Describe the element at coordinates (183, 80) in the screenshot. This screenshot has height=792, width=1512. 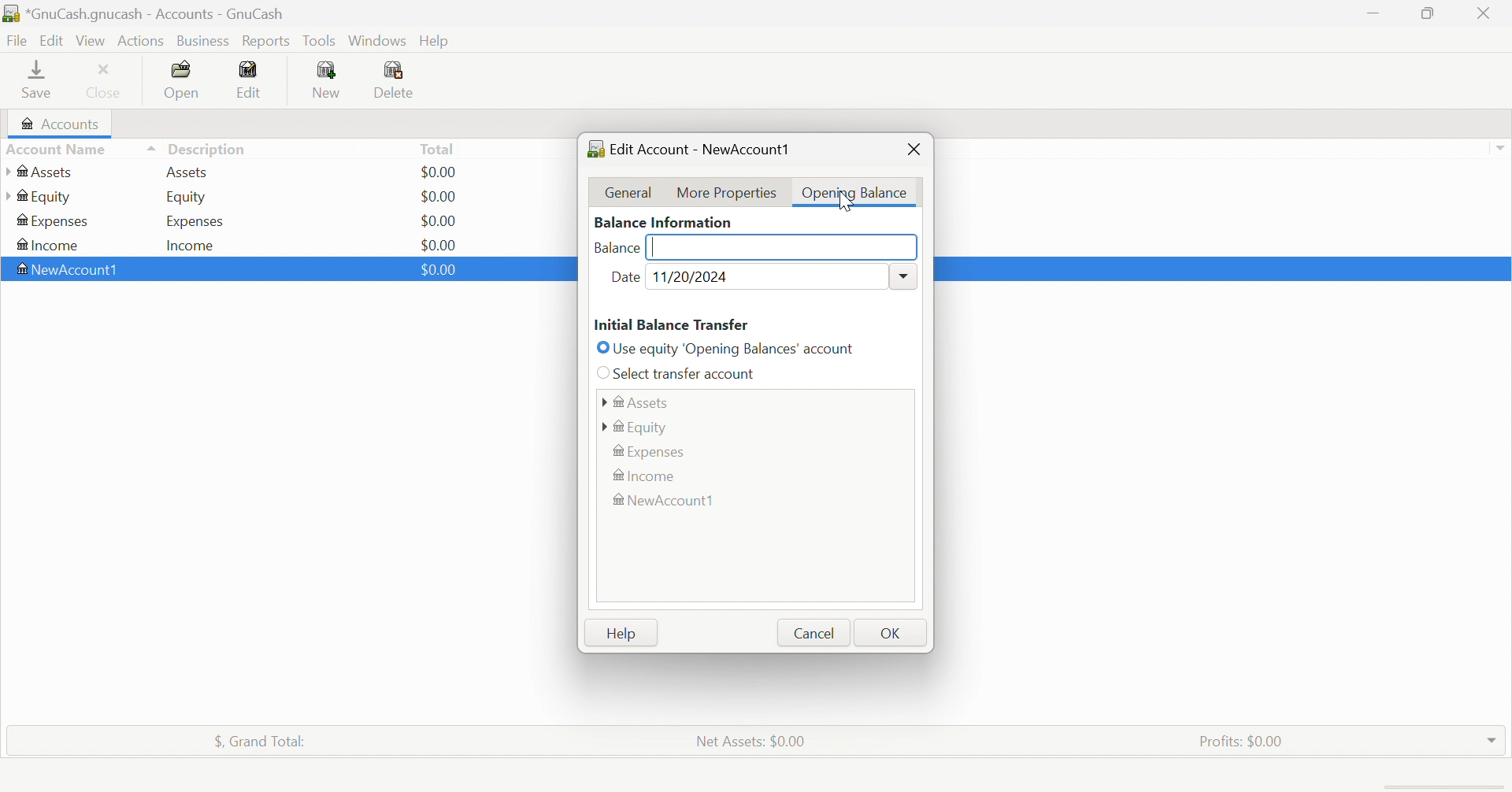
I see `Open` at that location.